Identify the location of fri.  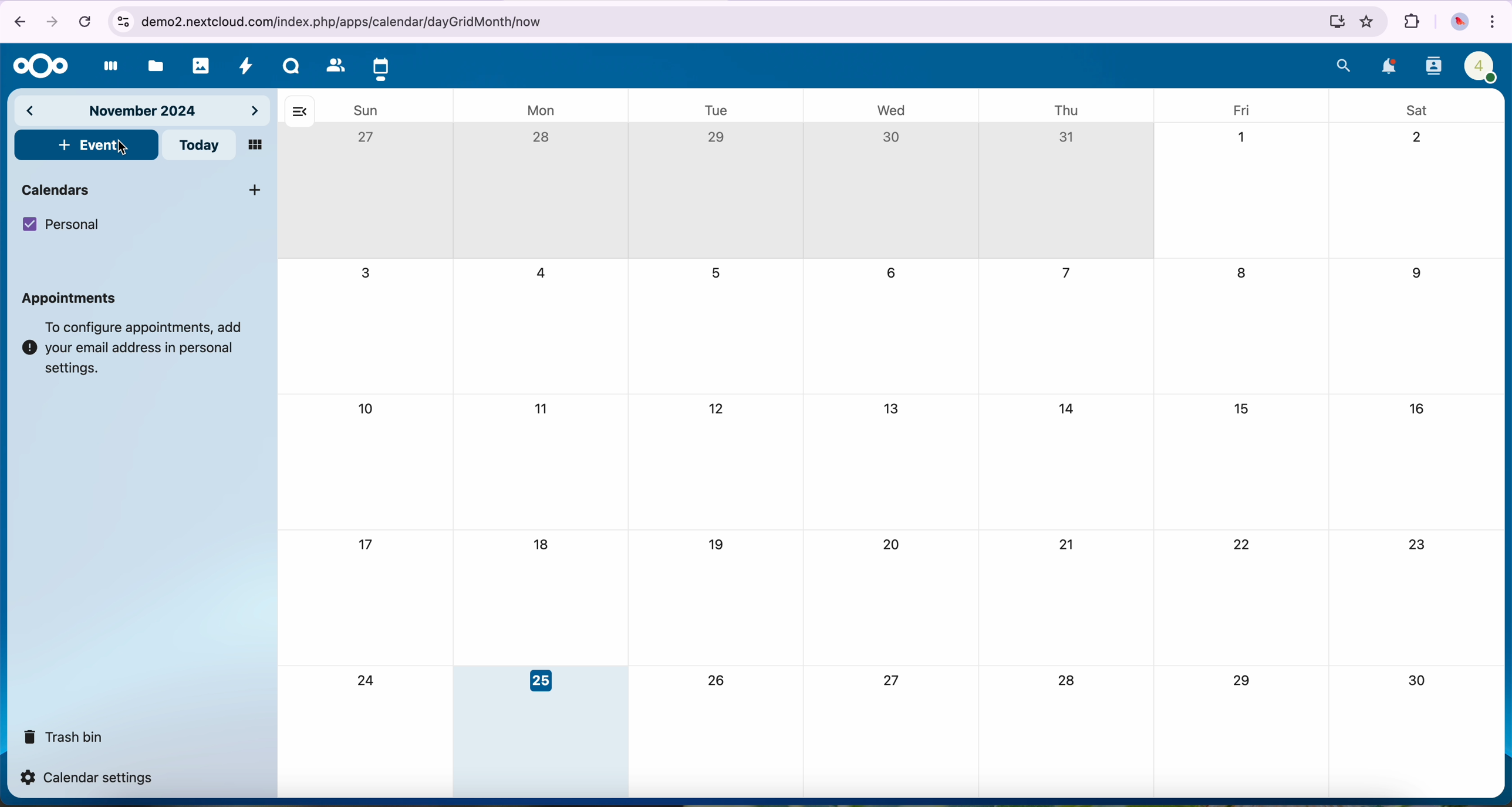
(1238, 108).